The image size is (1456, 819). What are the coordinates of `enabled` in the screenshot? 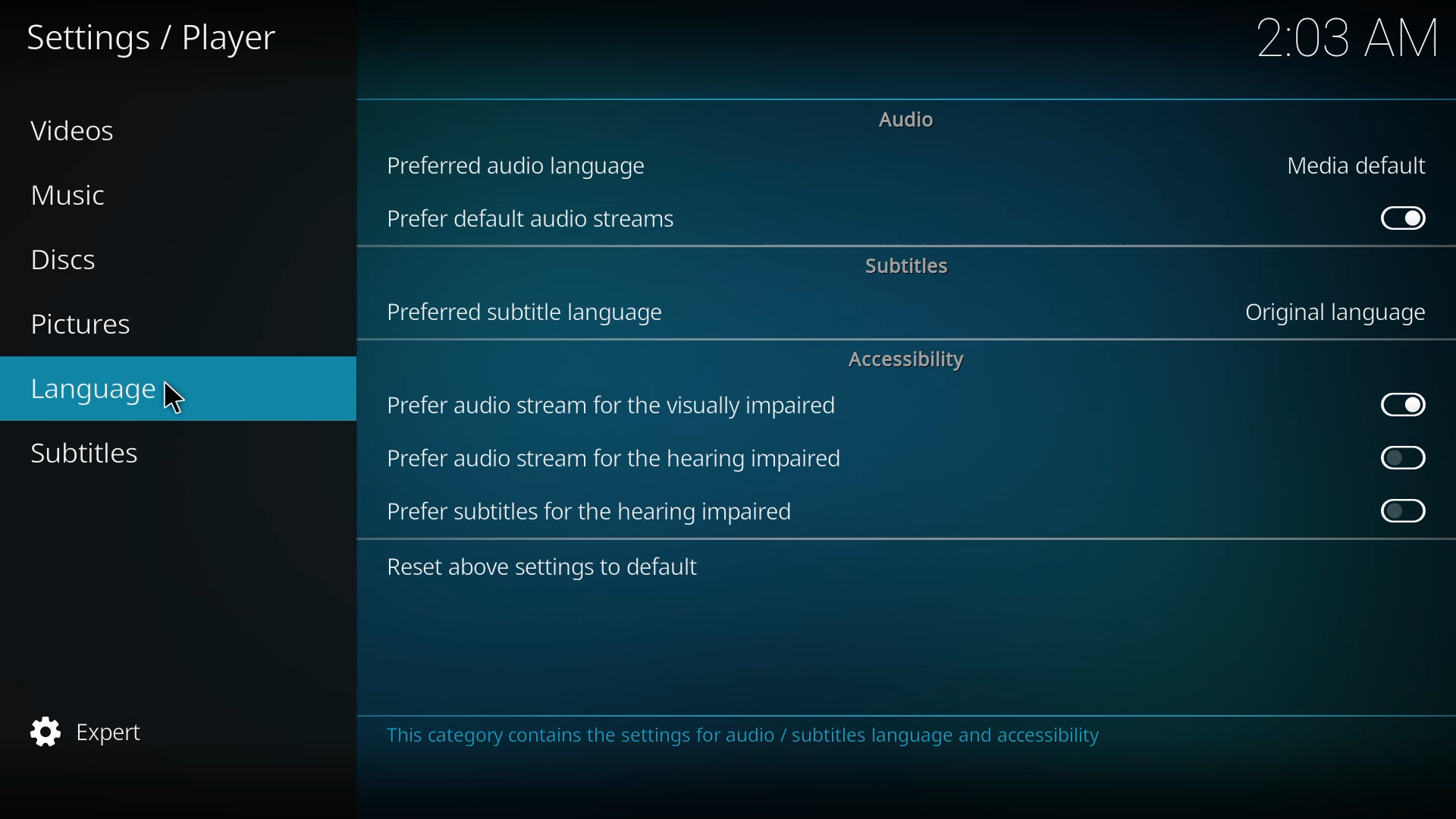 It's located at (1400, 402).